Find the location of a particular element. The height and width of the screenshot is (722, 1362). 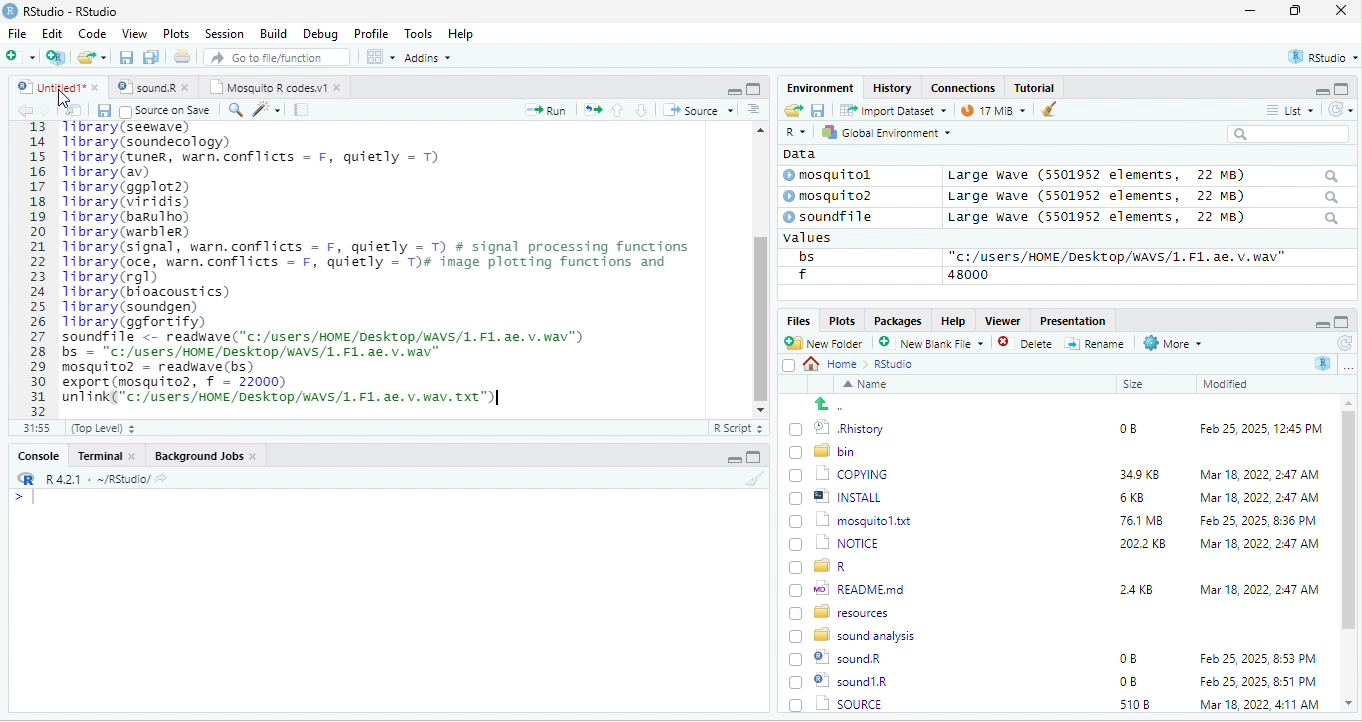

New Folder is located at coordinates (828, 343).